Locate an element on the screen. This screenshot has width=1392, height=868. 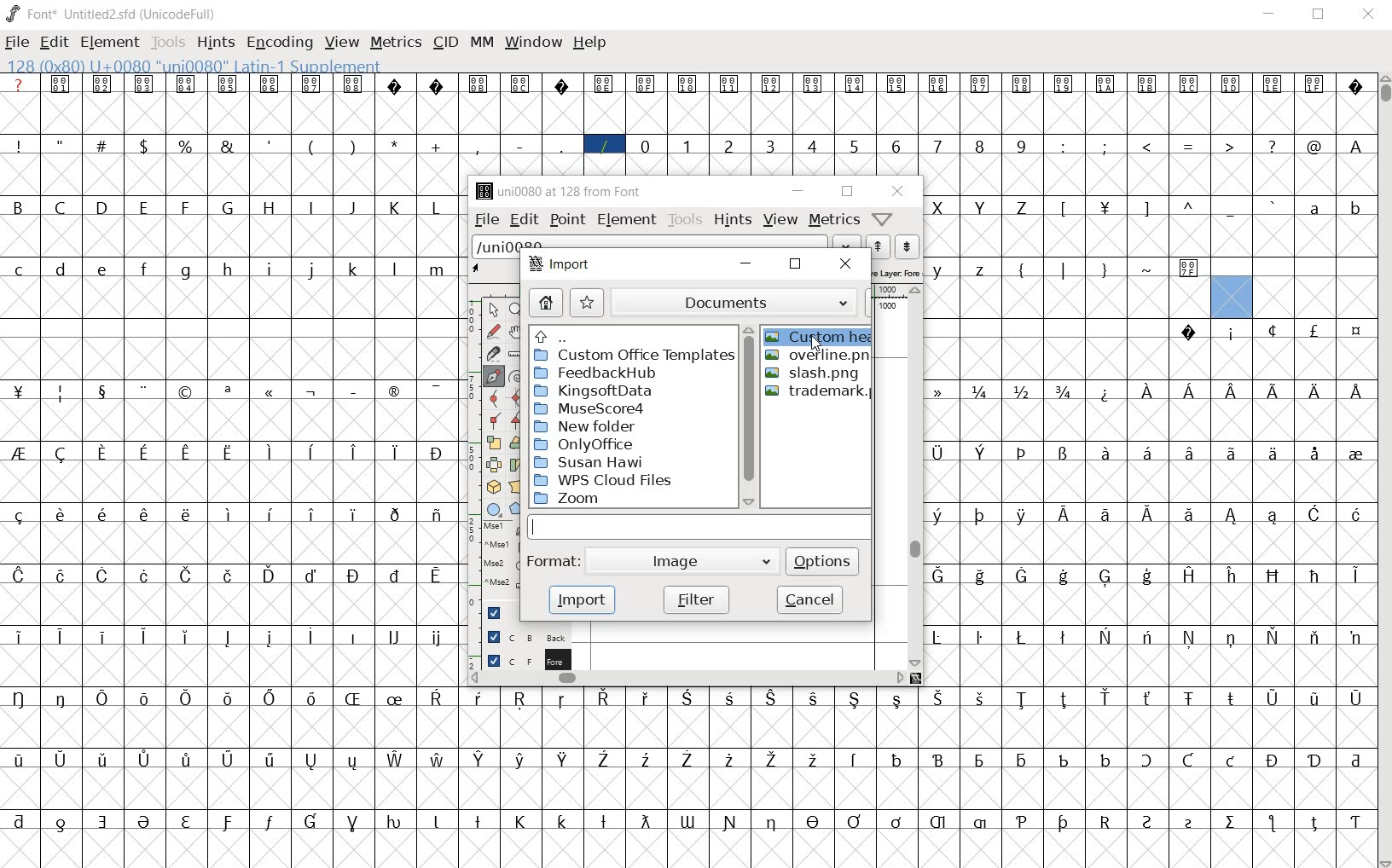
RESTORE is located at coordinates (1322, 16).